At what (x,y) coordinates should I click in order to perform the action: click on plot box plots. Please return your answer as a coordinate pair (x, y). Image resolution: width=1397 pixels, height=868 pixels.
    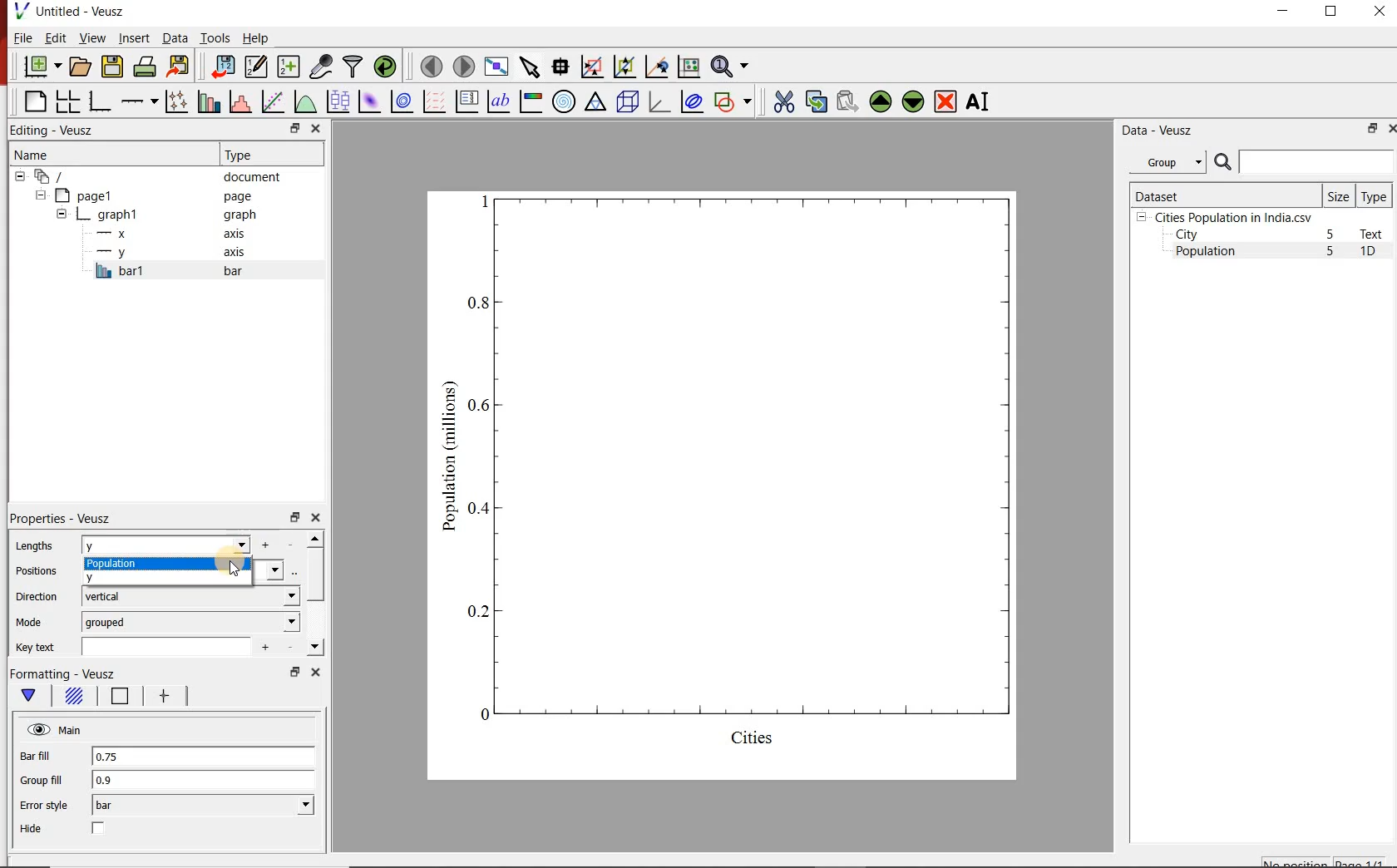
    Looking at the image, I should click on (337, 101).